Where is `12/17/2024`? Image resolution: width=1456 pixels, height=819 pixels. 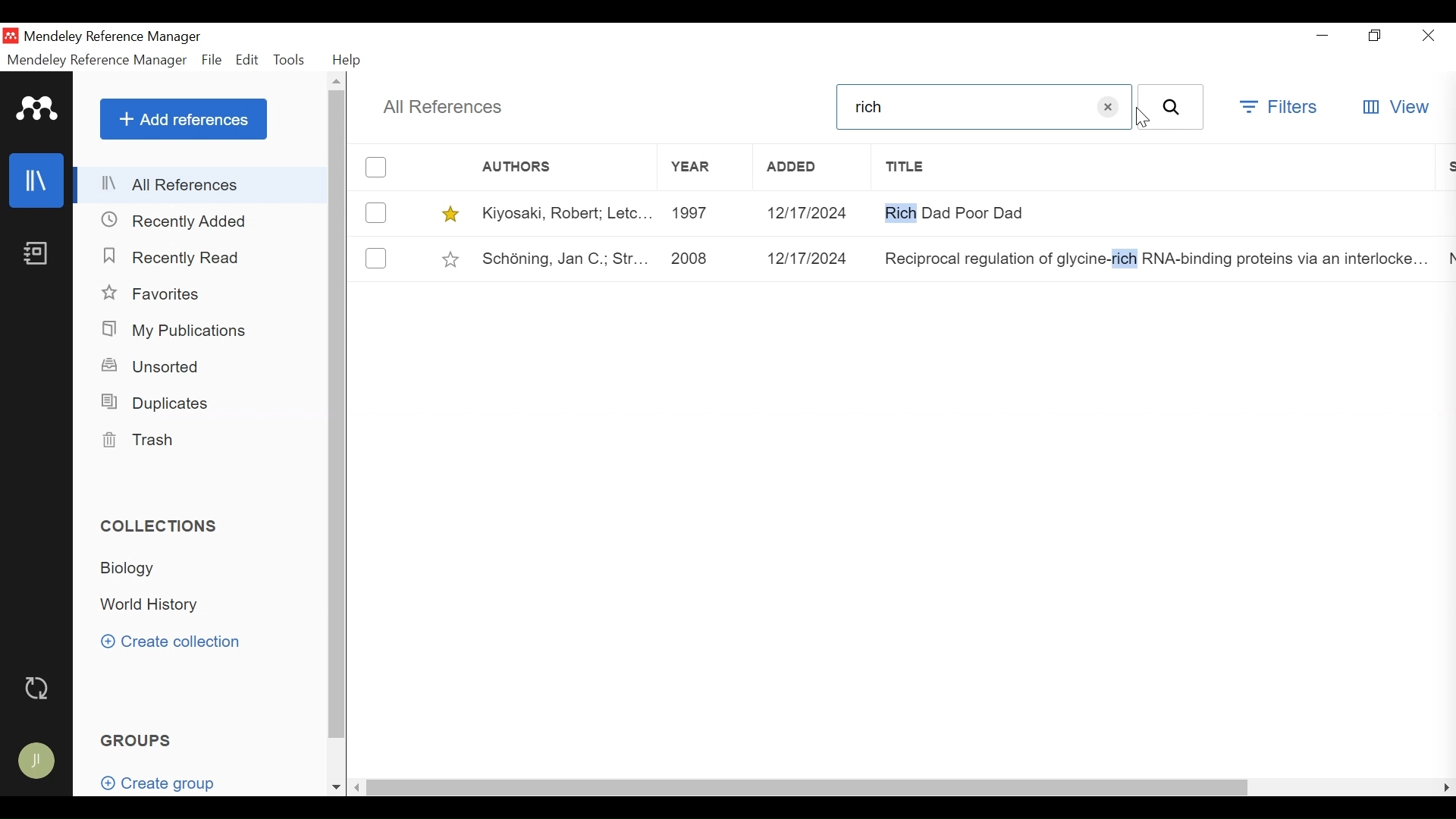 12/17/2024 is located at coordinates (813, 213).